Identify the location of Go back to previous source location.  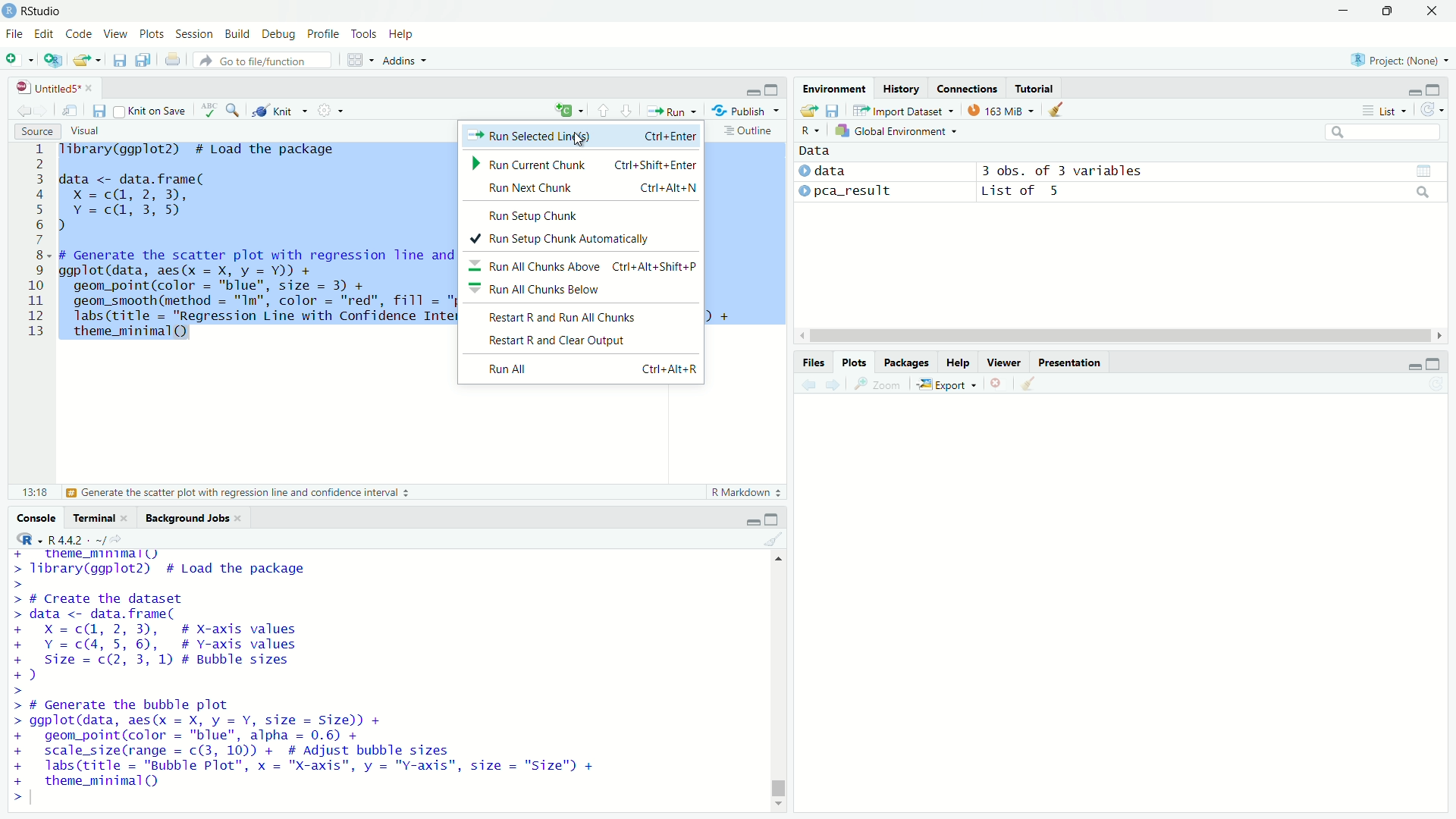
(24, 111).